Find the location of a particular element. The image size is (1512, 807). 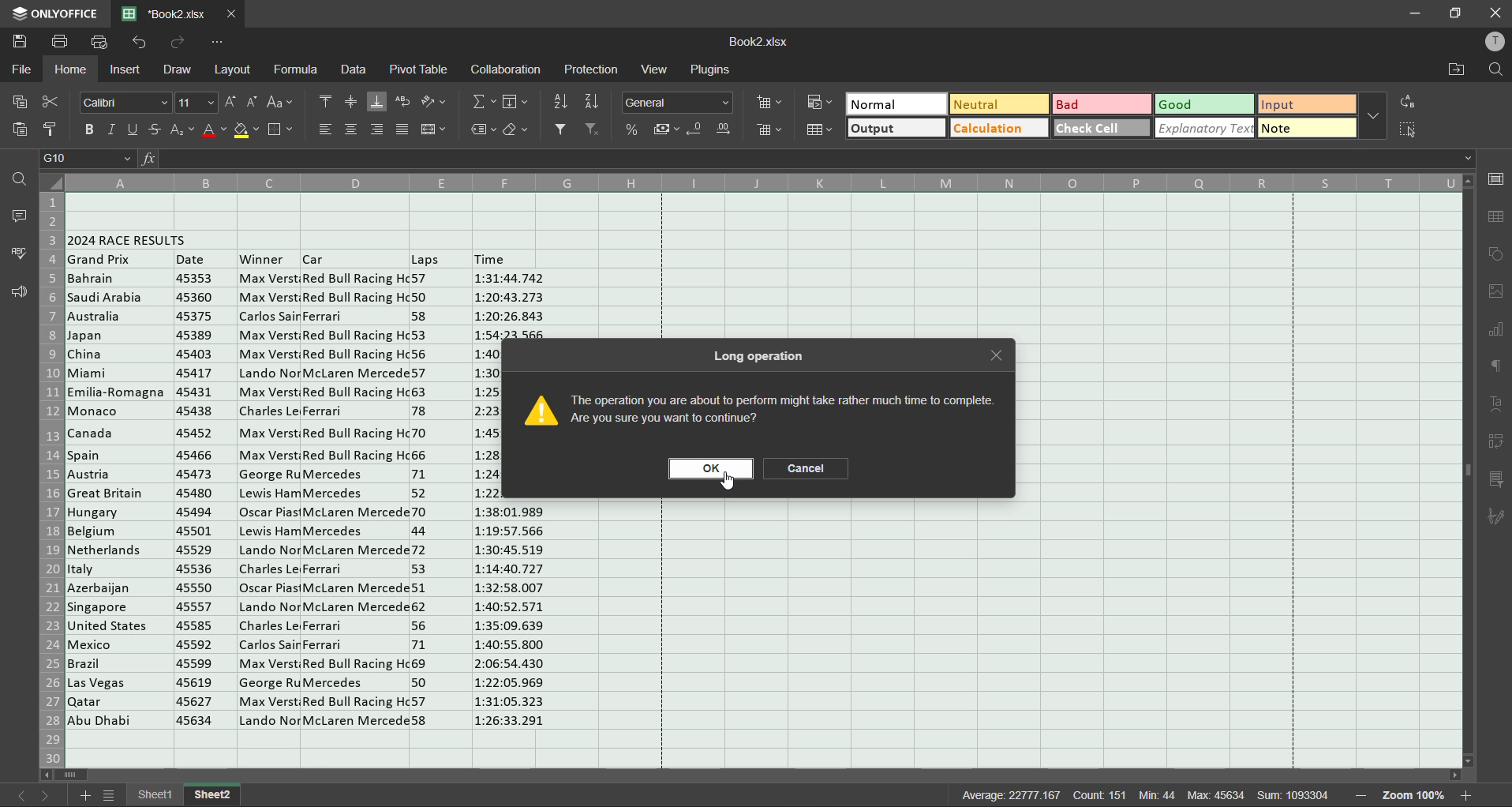

home is located at coordinates (71, 70).